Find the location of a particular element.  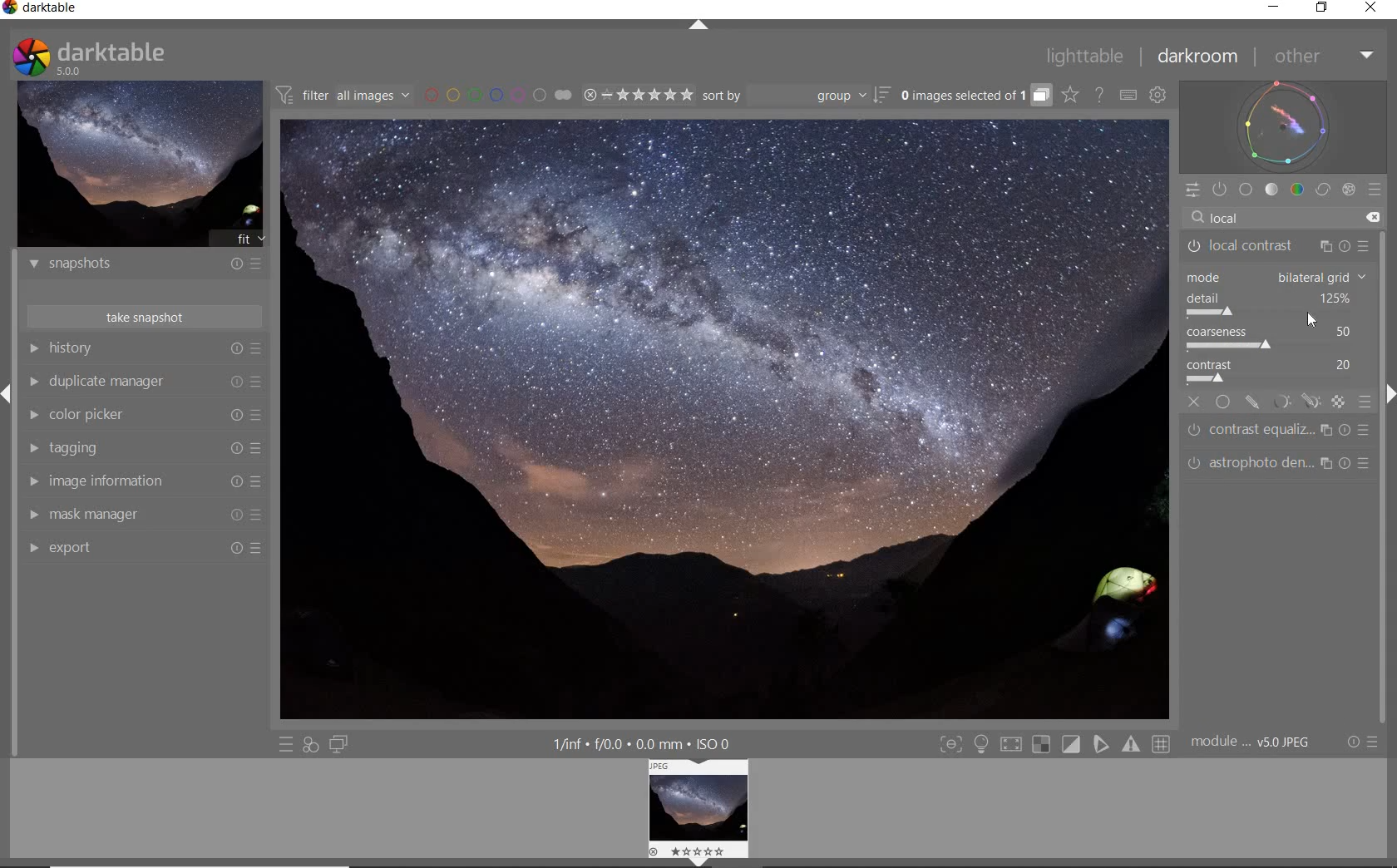

Options is located at coordinates (1378, 741).